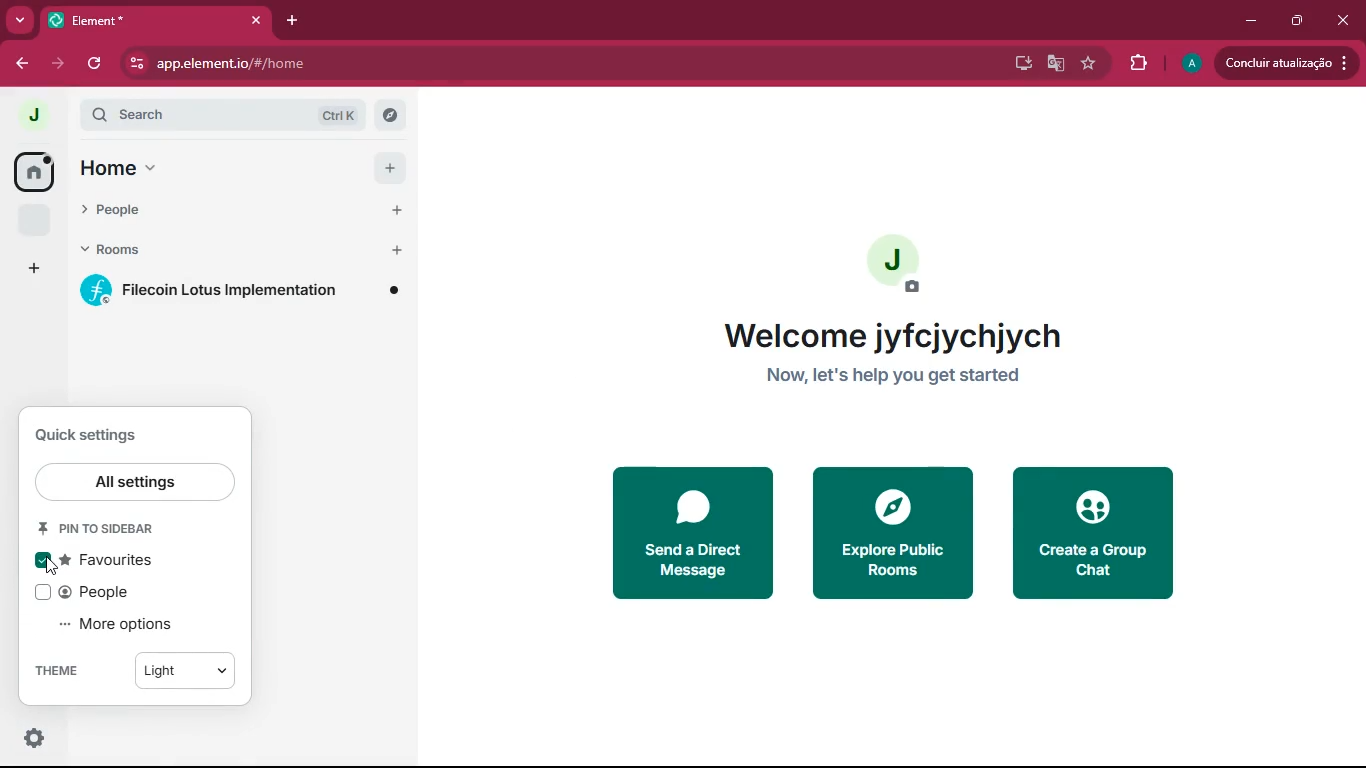 The height and width of the screenshot is (768, 1366). I want to click on add tab, so click(293, 22).